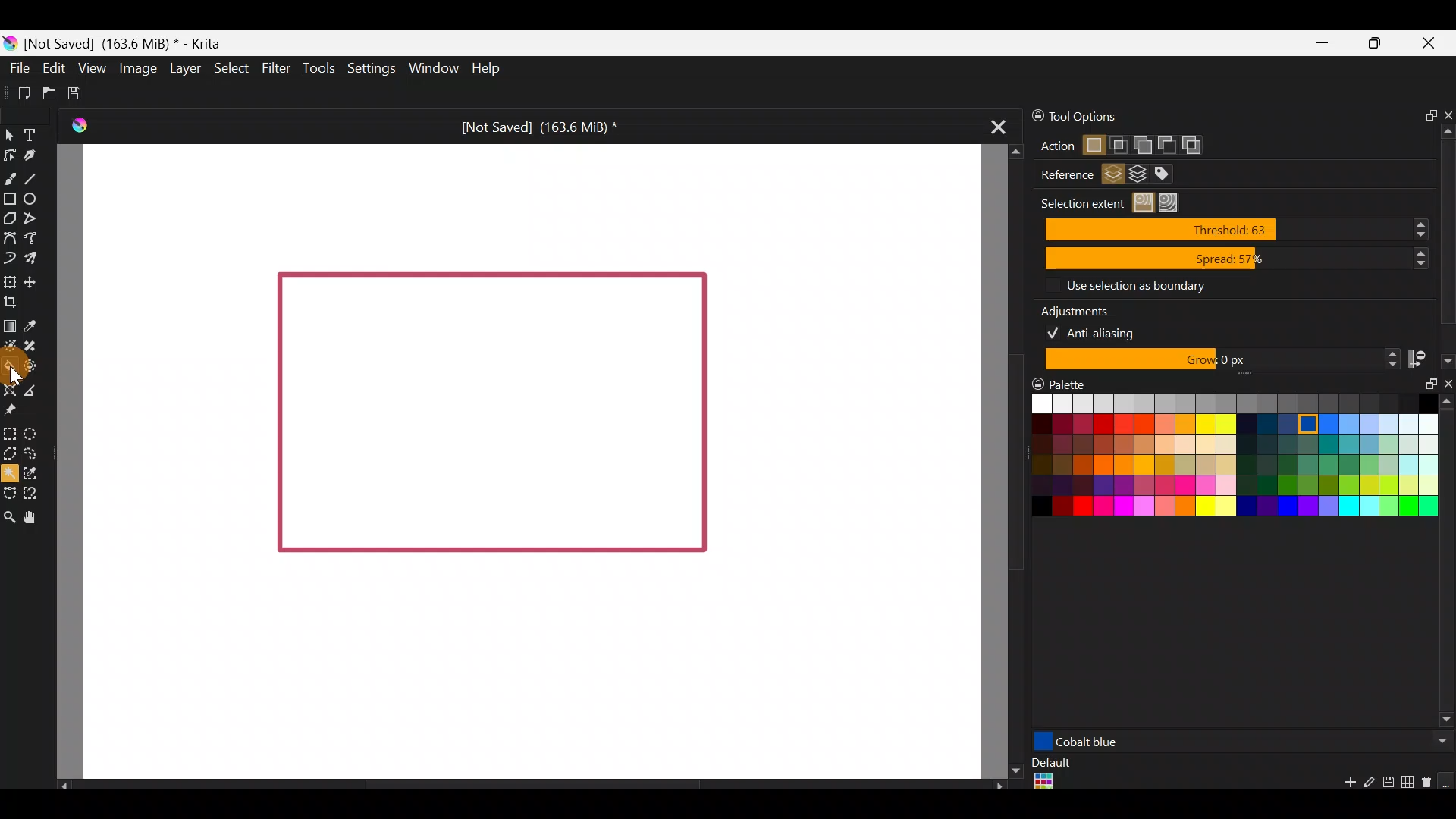 The height and width of the screenshot is (819, 1456). What do you see at coordinates (33, 490) in the screenshot?
I see `Magnetic curve selection tool` at bounding box center [33, 490].